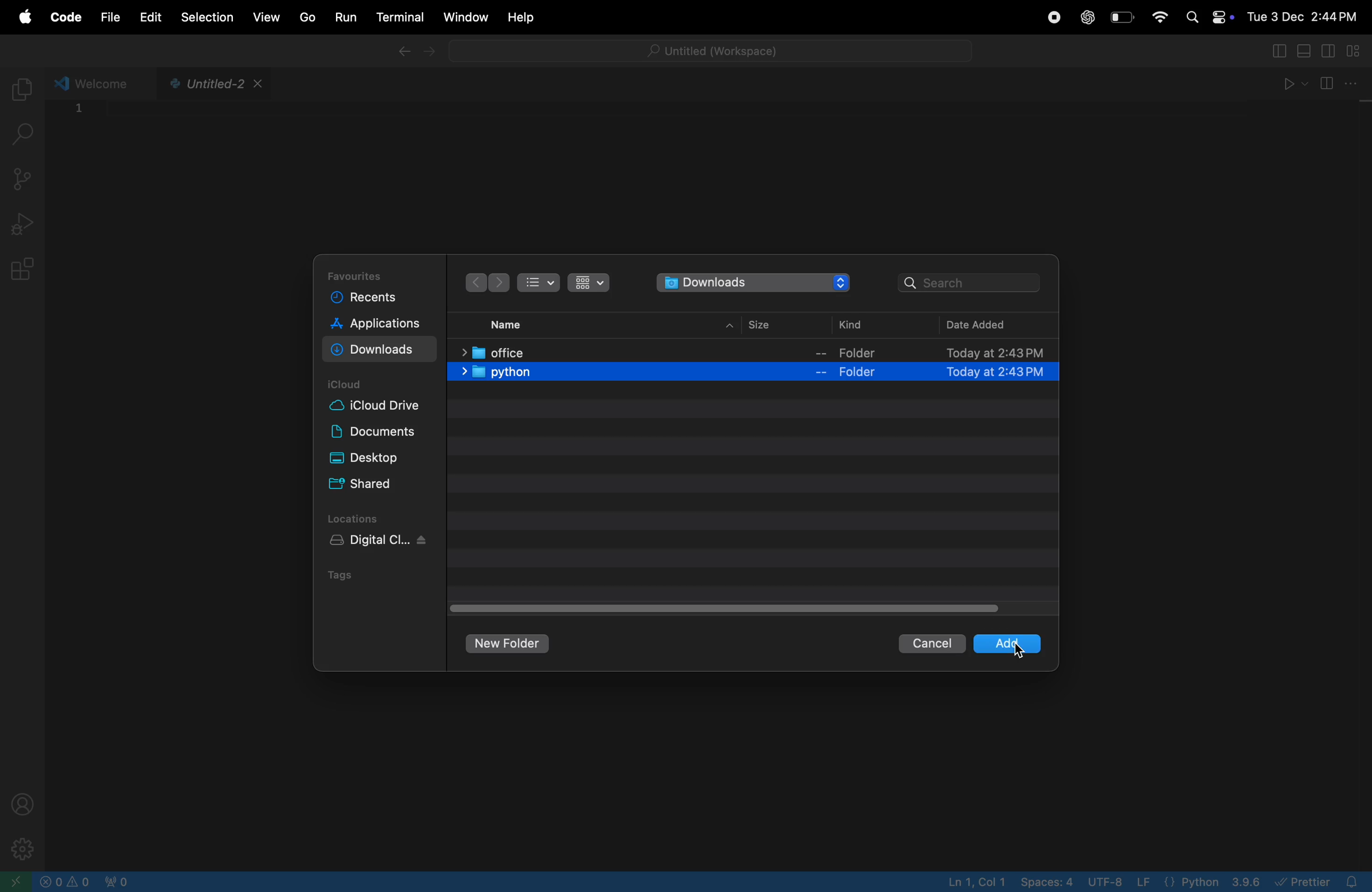  I want to click on cloud drive, so click(378, 408).